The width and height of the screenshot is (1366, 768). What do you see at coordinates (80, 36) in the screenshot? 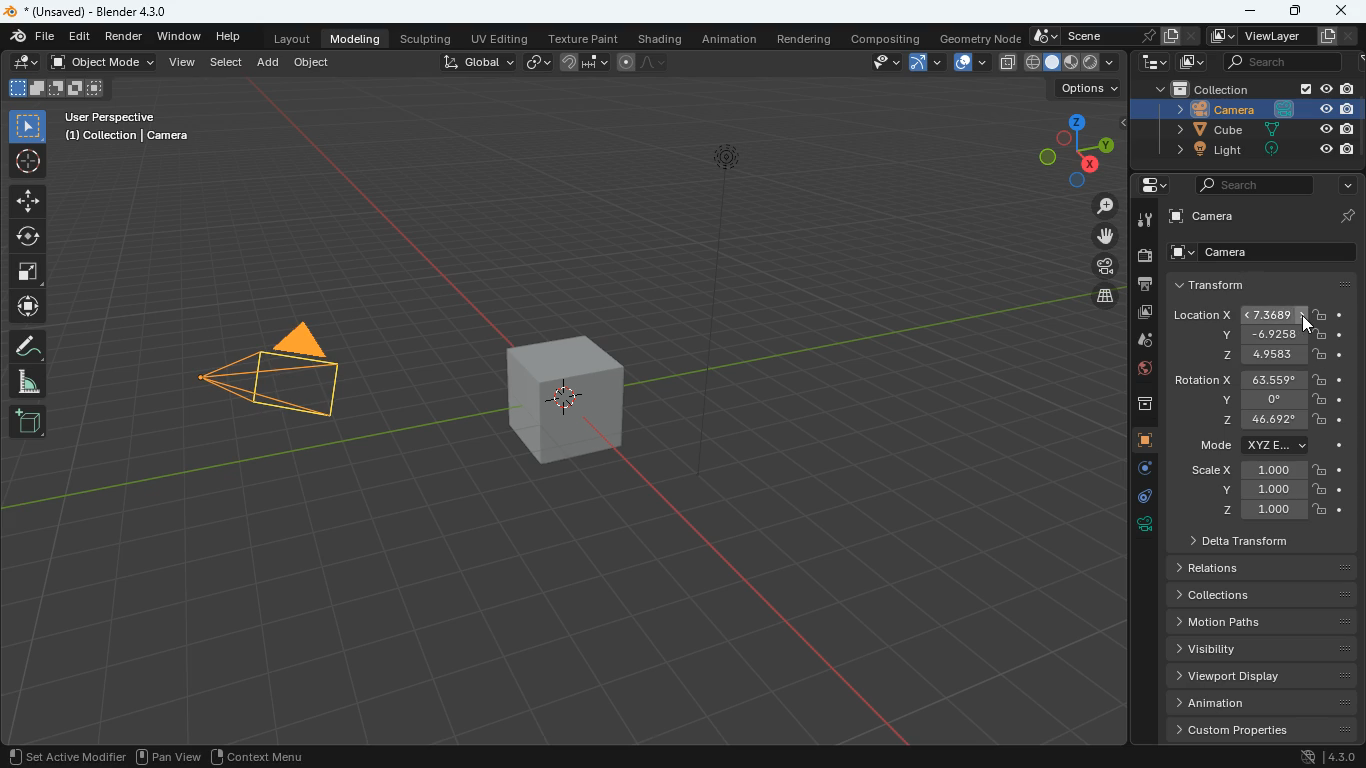
I see `edit` at bounding box center [80, 36].